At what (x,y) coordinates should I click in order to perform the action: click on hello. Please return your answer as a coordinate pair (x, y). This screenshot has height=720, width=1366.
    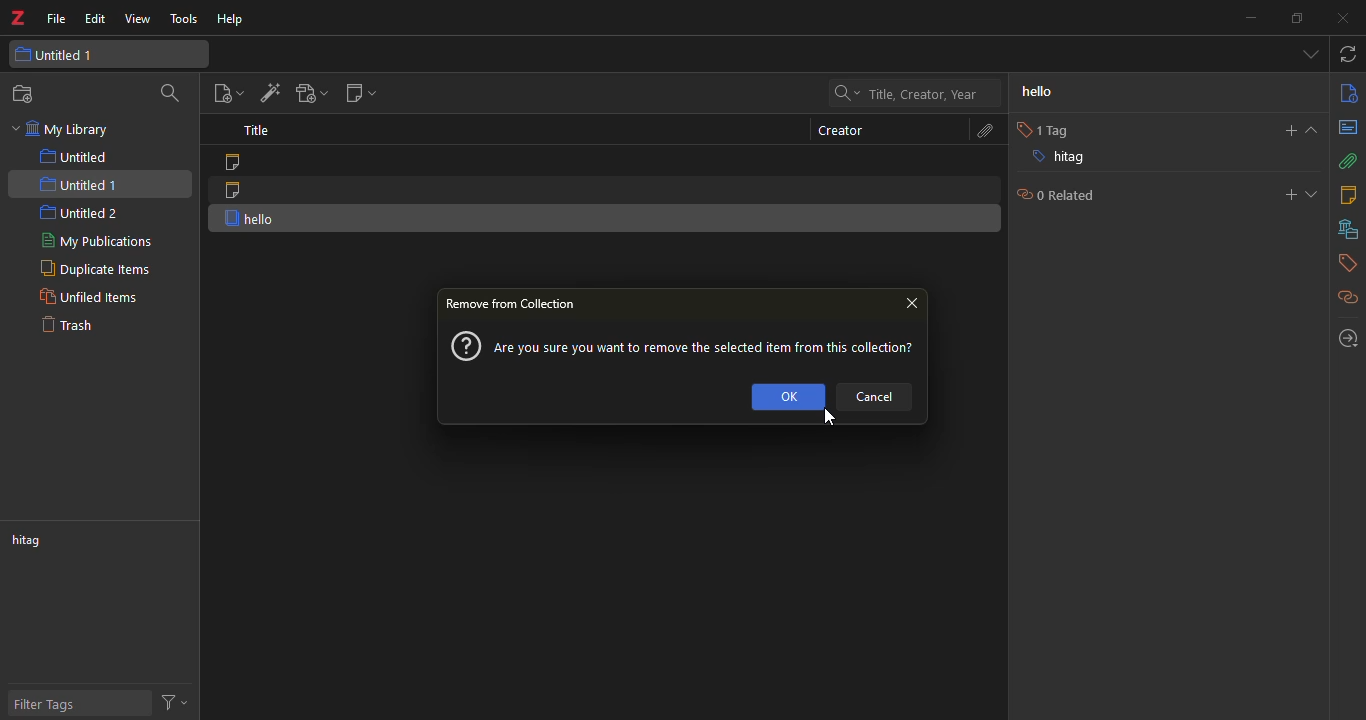
    Looking at the image, I should click on (1052, 91).